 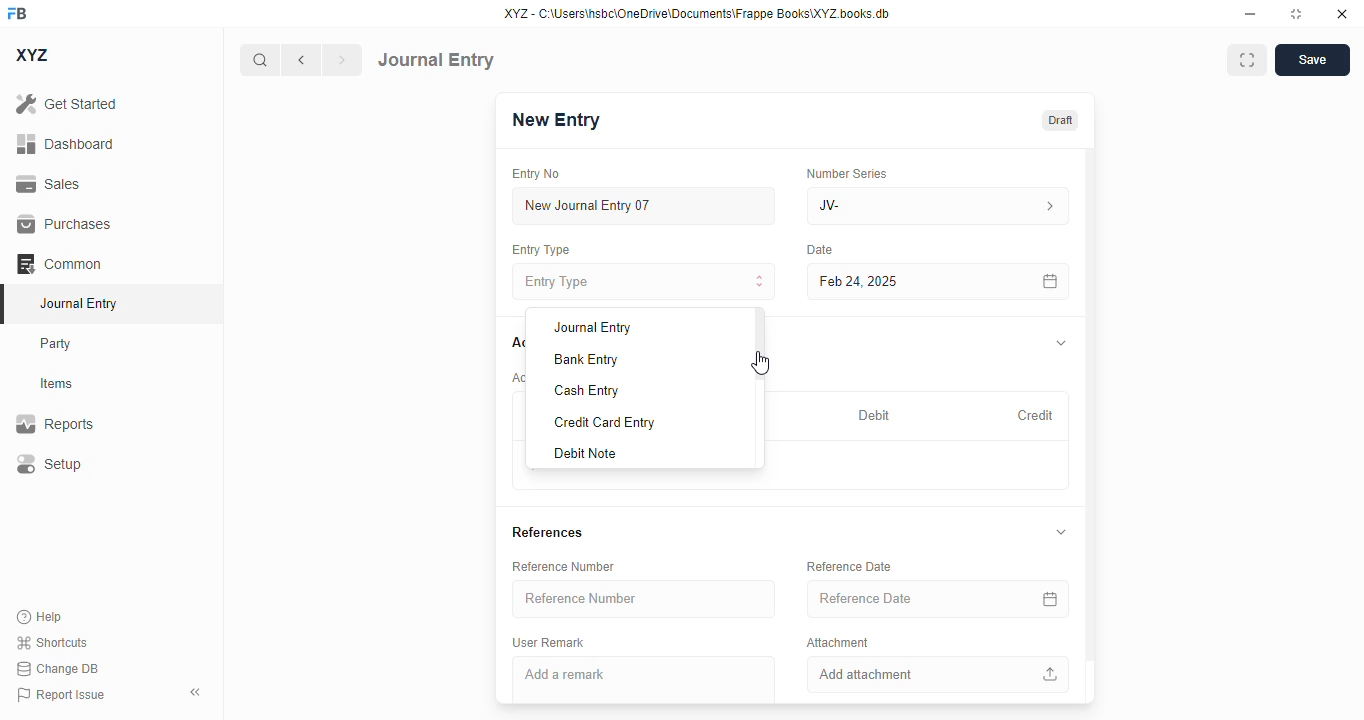 What do you see at coordinates (542, 250) in the screenshot?
I see `entry type` at bounding box center [542, 250].